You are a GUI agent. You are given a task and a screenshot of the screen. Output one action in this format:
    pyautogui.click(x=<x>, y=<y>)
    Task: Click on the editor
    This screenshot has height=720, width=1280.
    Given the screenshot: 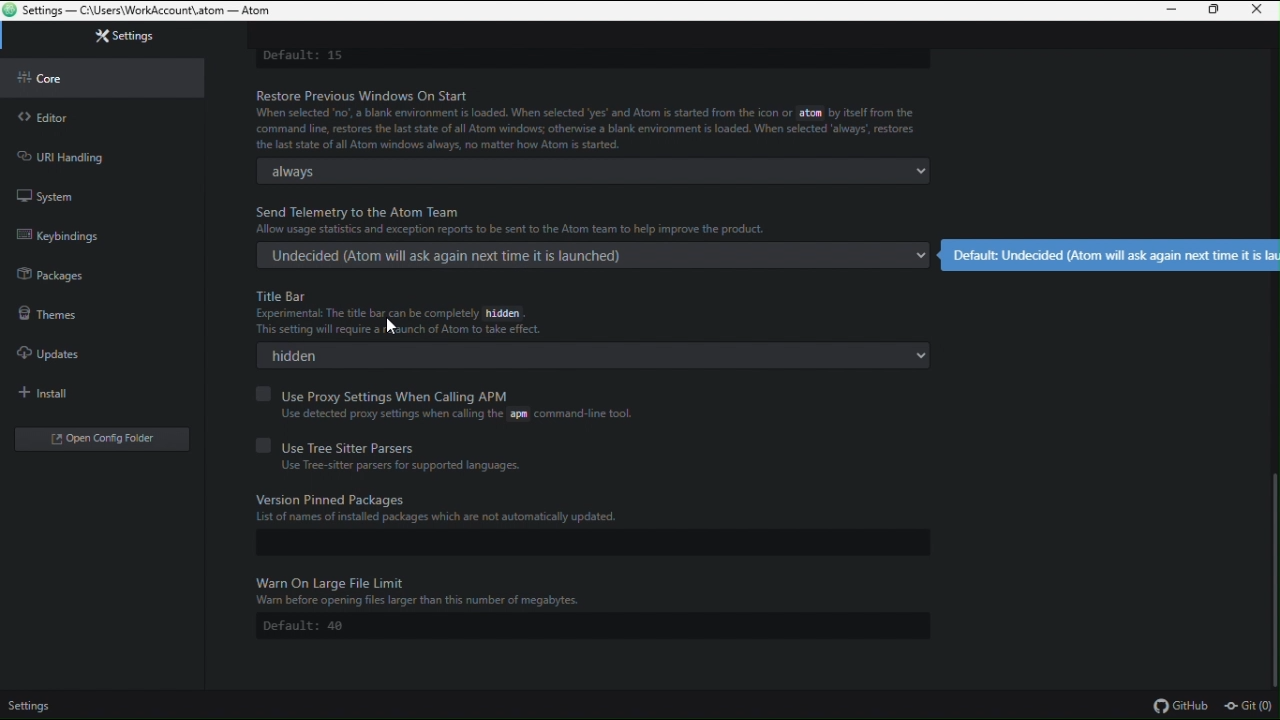 What is the action you would take?
    pyautogui.click(x=101, y=113)
    